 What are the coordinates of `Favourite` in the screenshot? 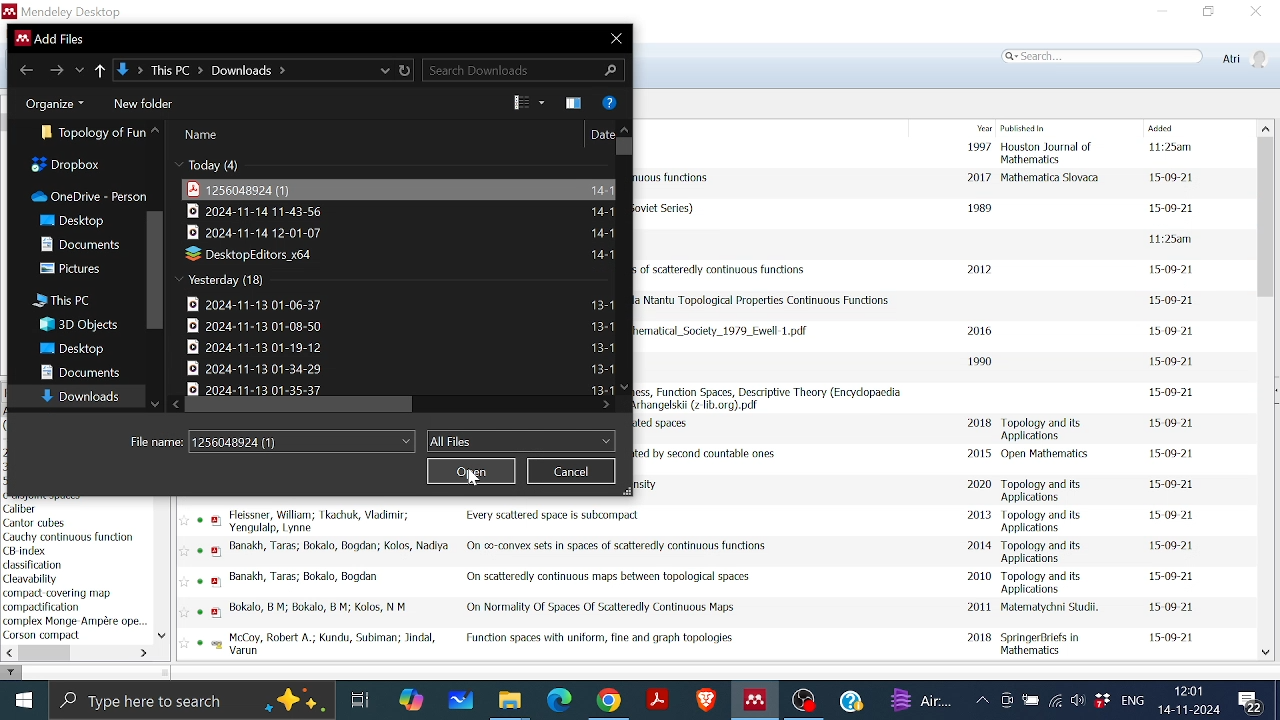 It's located at (184, 583).